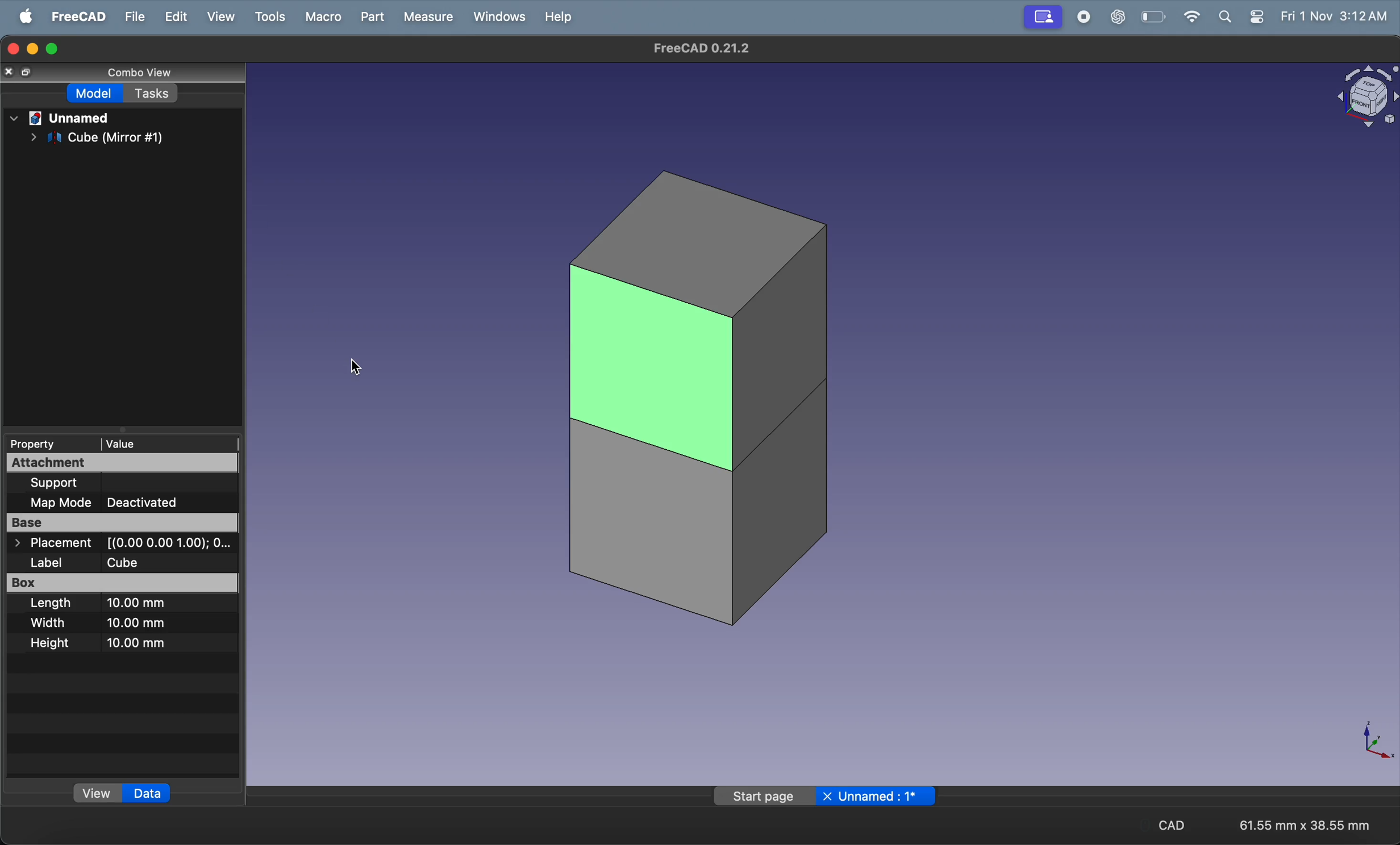 The image size is (1400, 845). Describe the element at coordinates (1224, 18) in the screenshot. I see `search` at that location.